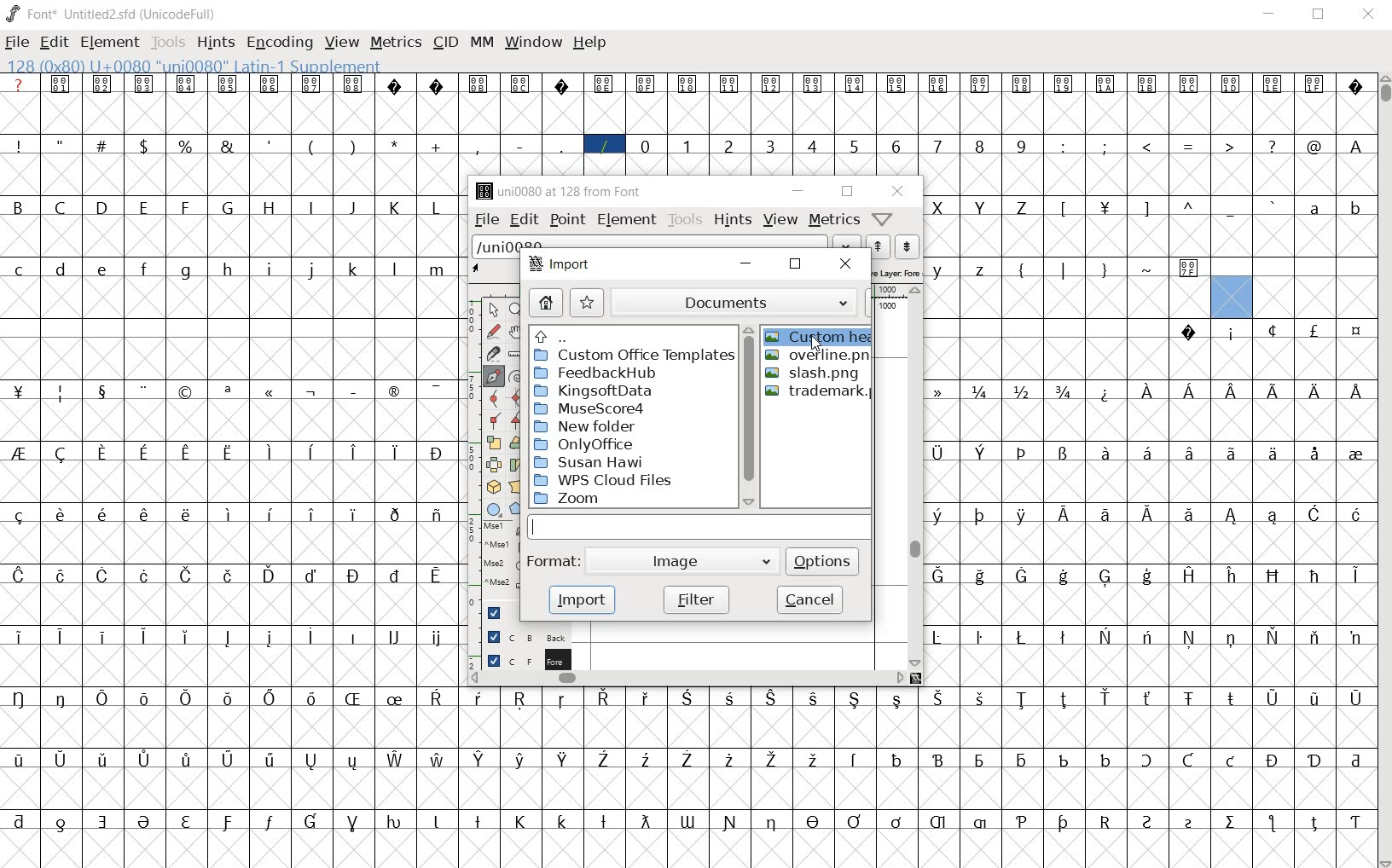 Image resolution: width=1392 pixels, height=868 pixels. What do you see at coordinates (394, 85) in the screenshot?
I see `glyph` at bounding box center [394, 85].